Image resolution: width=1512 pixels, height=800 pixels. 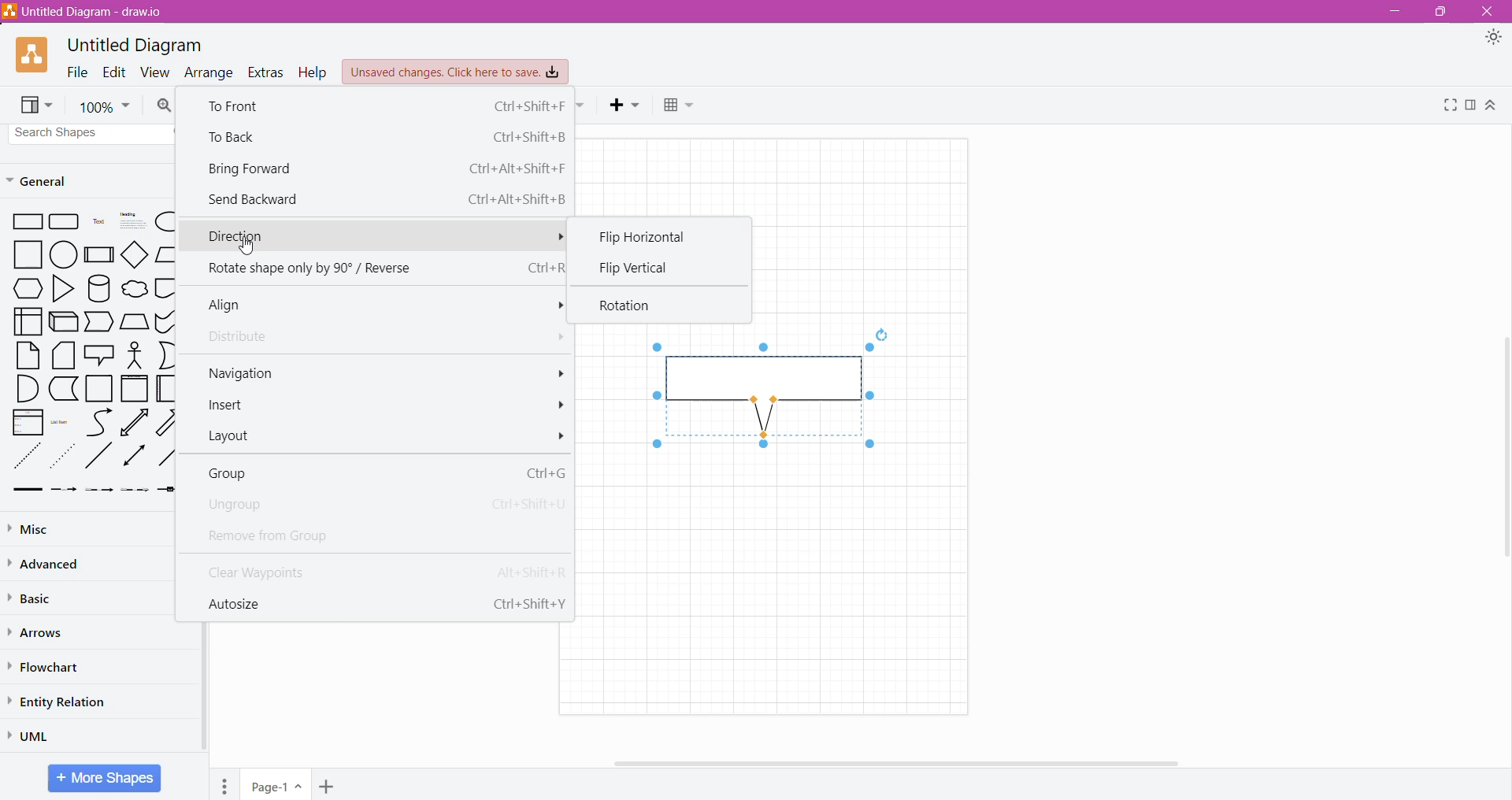 I want to click on Expand/Collapse, so click(x=1492, y=106).